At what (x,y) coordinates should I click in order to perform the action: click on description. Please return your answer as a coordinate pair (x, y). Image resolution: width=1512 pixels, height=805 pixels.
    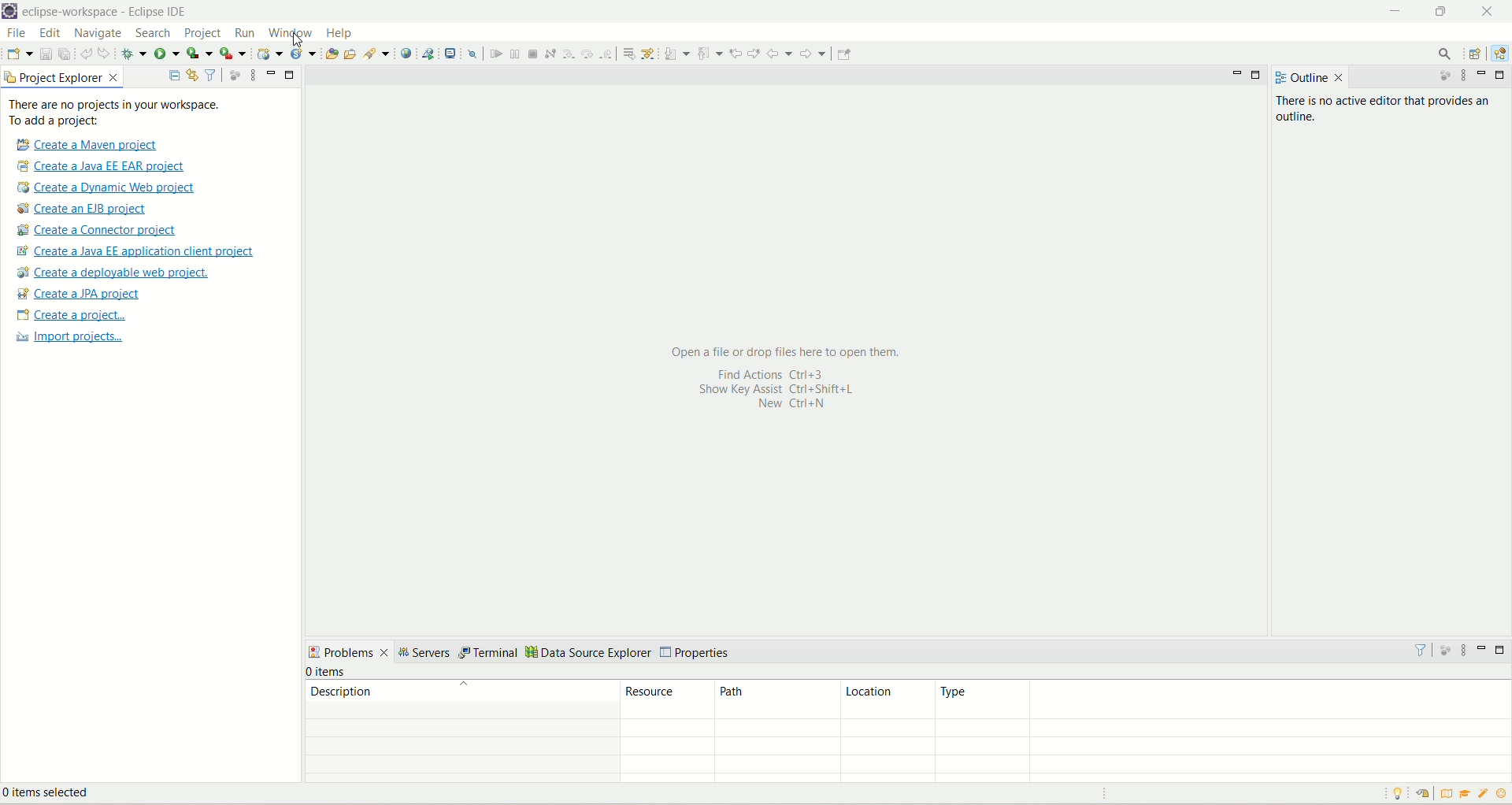
    Looking at the image, I should click on (461, 691).